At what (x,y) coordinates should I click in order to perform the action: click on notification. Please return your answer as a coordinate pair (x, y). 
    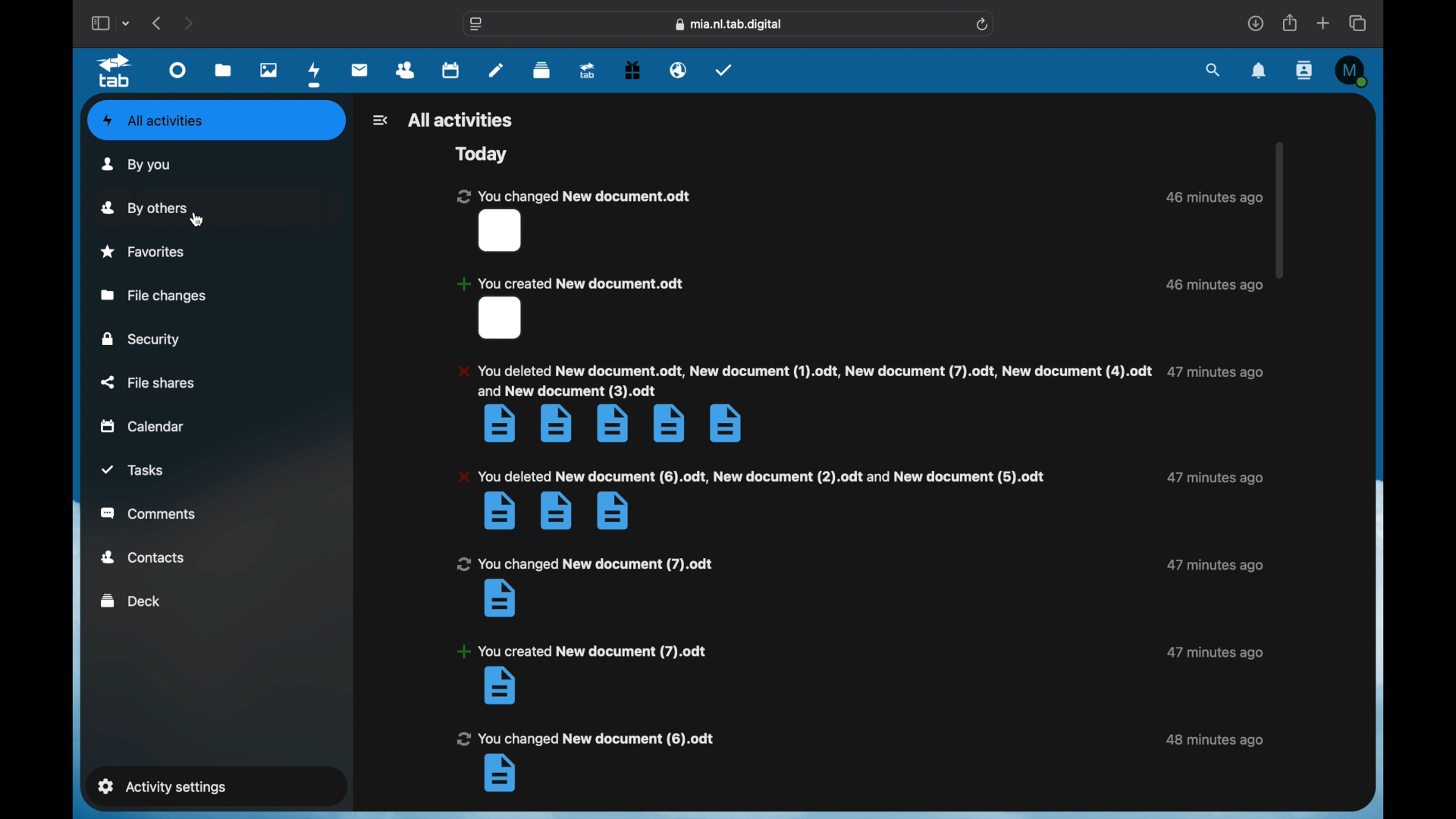
    Looking at the image, I should click on (802, 403).